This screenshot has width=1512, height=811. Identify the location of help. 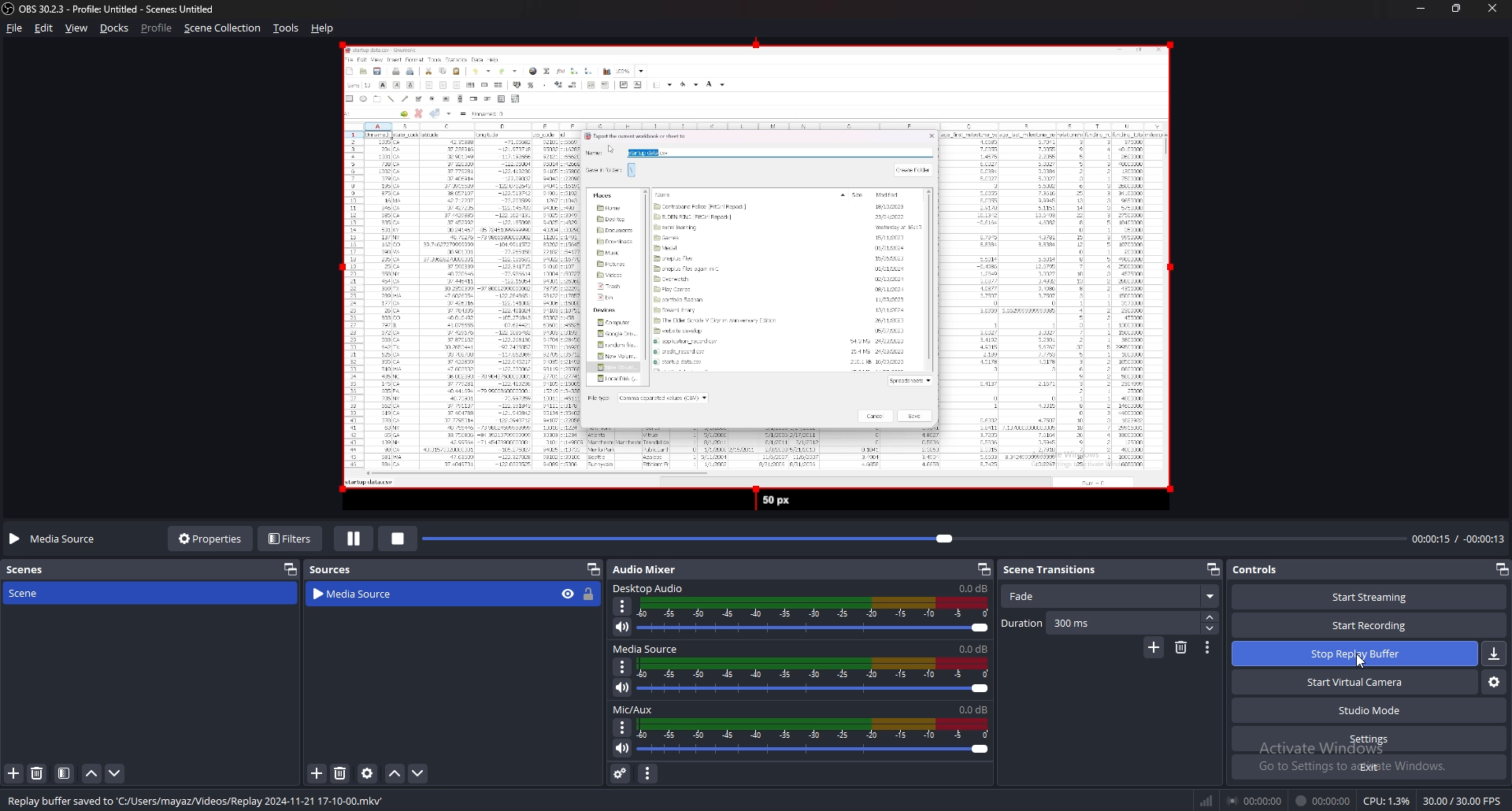
(324, 28).